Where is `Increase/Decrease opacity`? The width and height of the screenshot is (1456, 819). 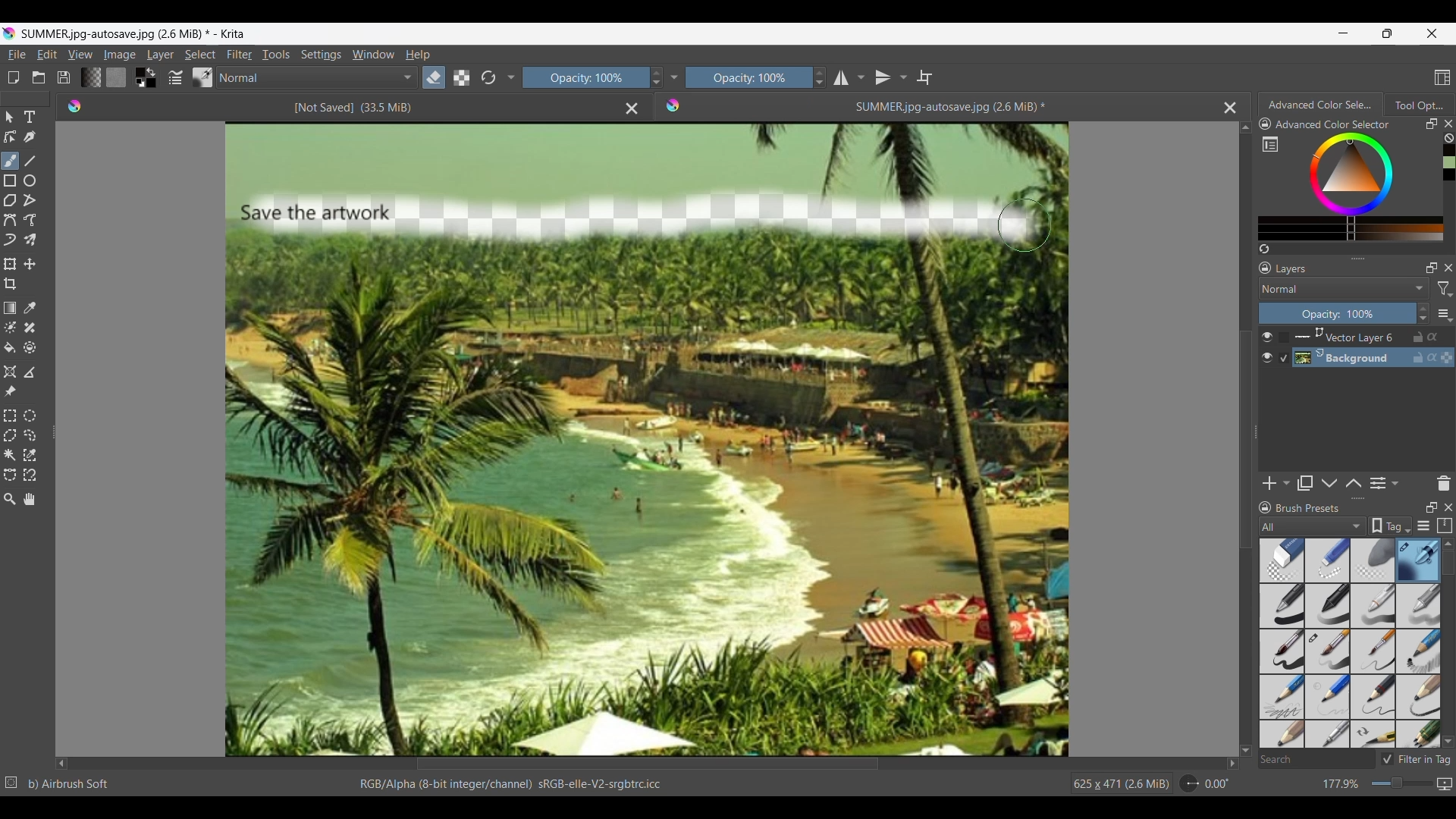 Increase/Decrease opacity is located at coordinates (820, 77).